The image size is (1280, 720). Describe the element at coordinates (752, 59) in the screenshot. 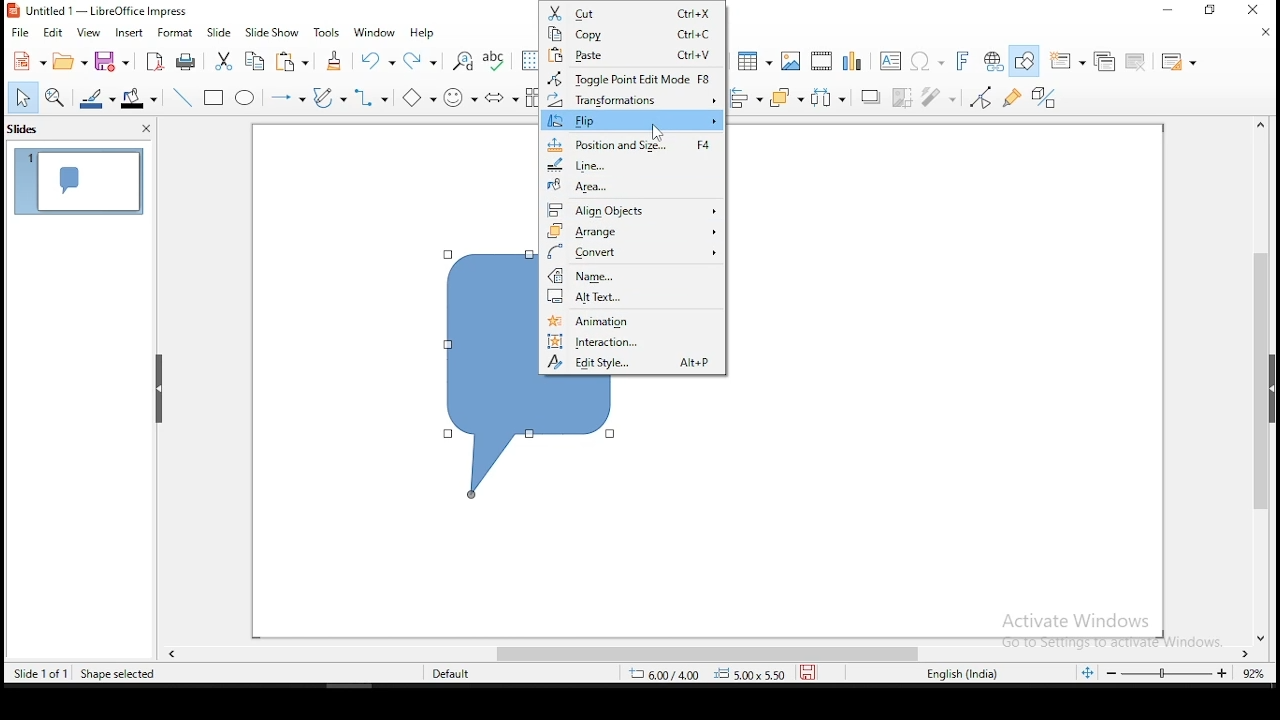

I see `table` at that location.